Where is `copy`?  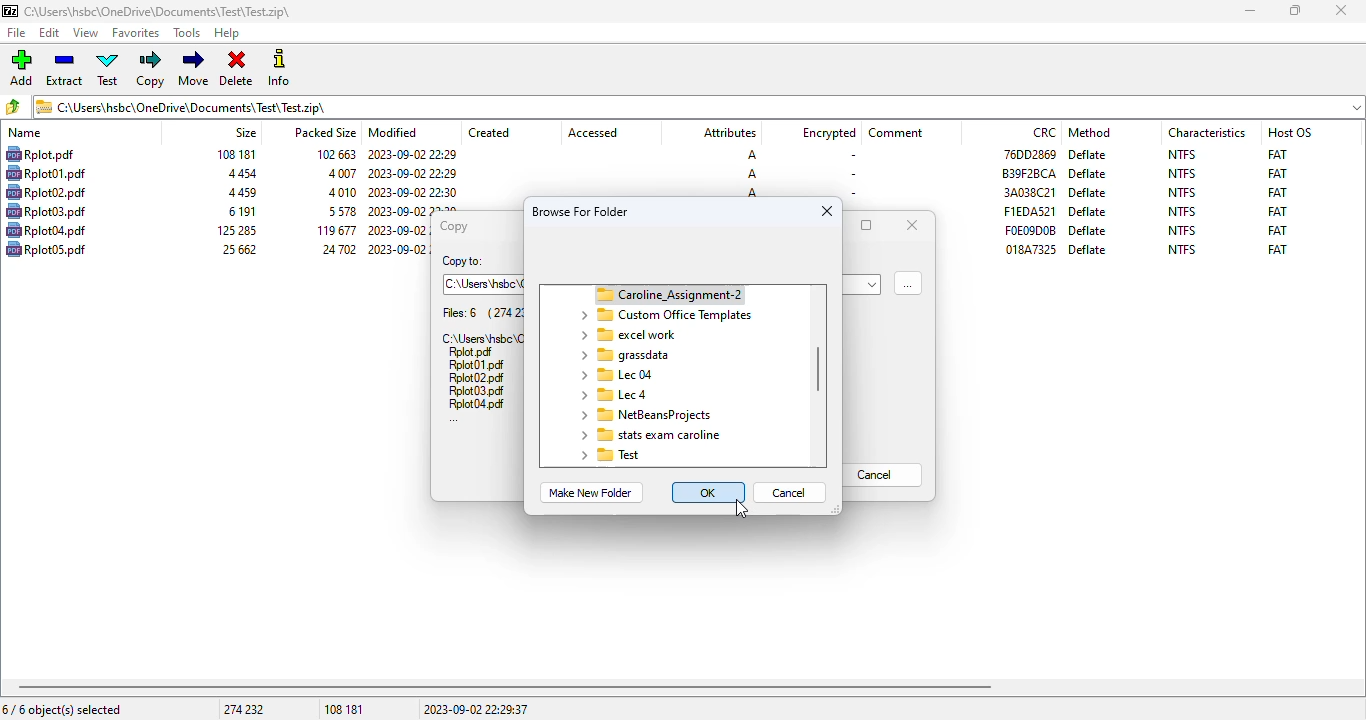 copy is located at coordinates (152, 69).